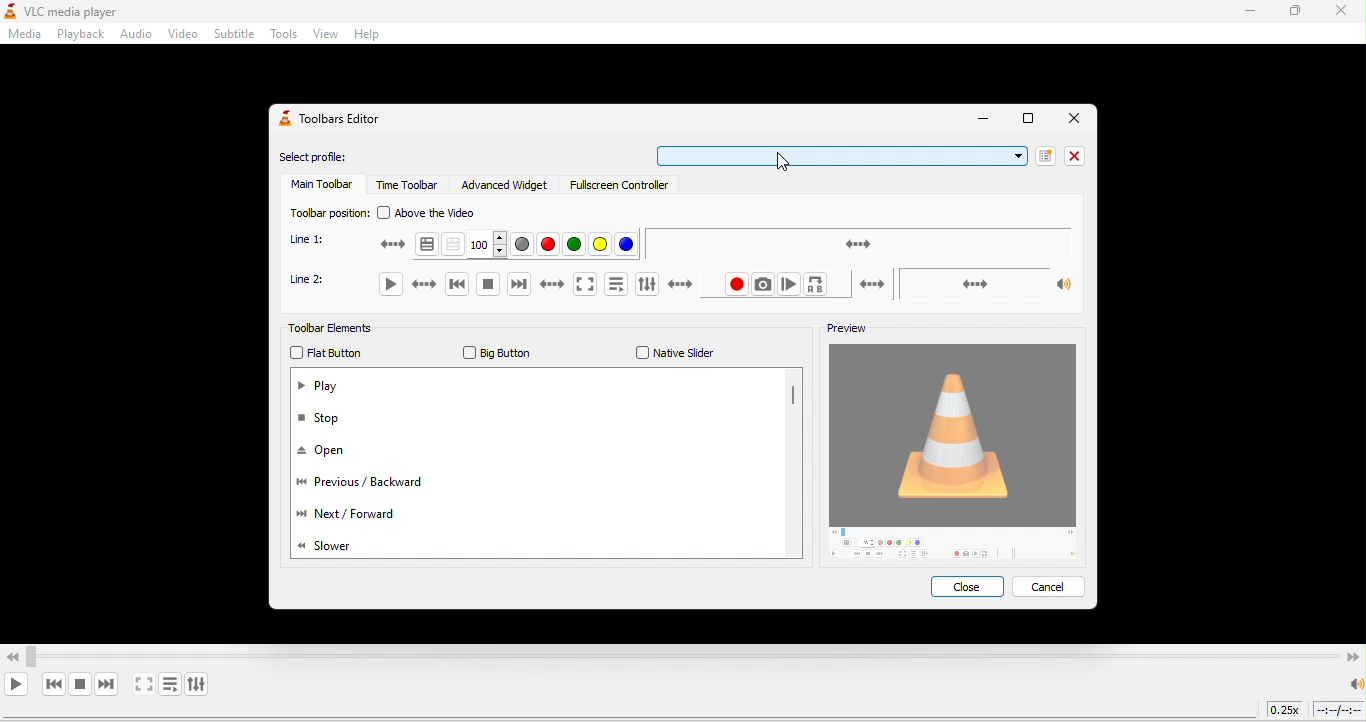 Image resolution: width=1366 pixels, height=722 pixels. Describe the element at coordinates (683, 652) in the screenshot. I see `Video Scrollbar` at that location.